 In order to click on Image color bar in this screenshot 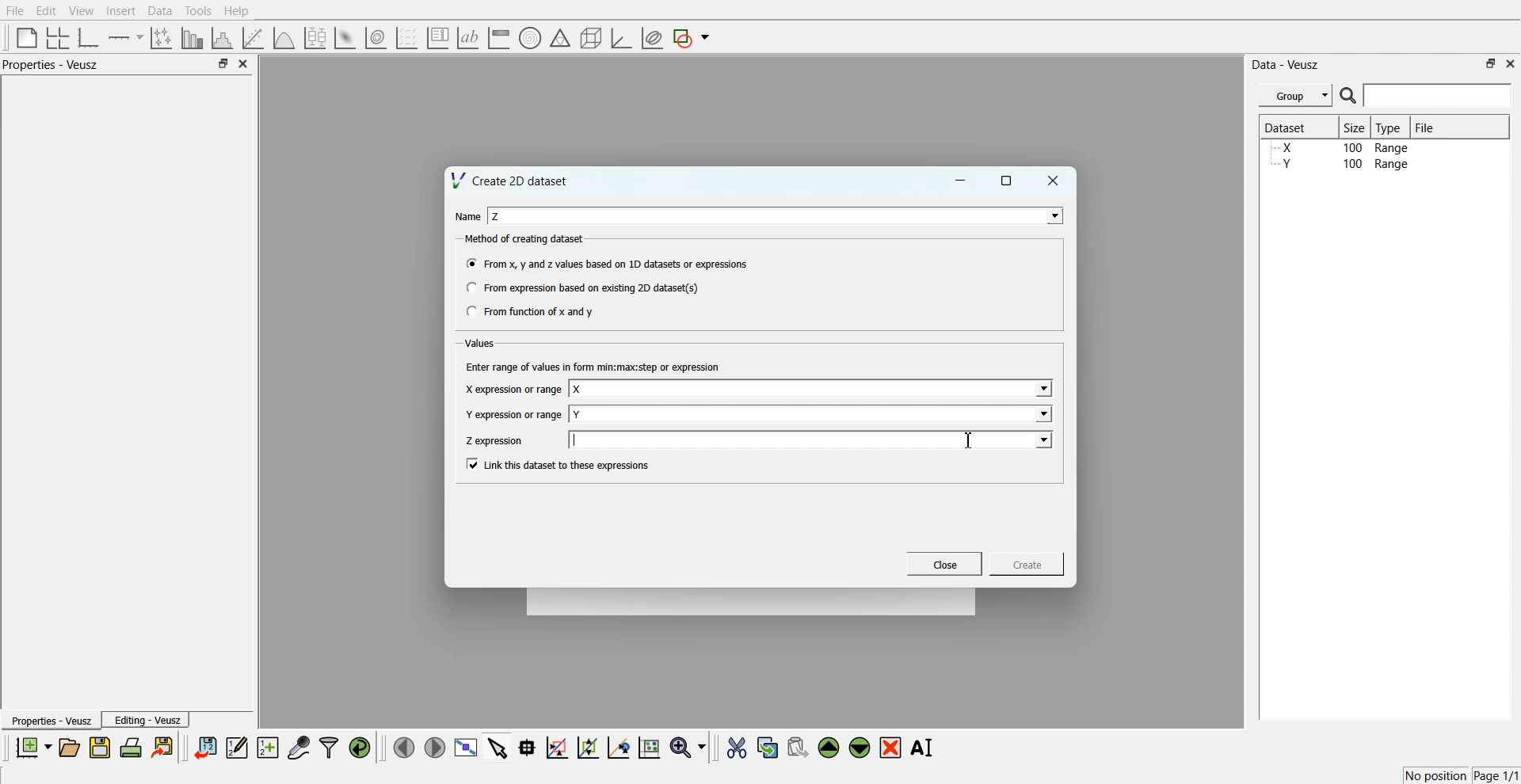, I will do `click(499, 37)`.